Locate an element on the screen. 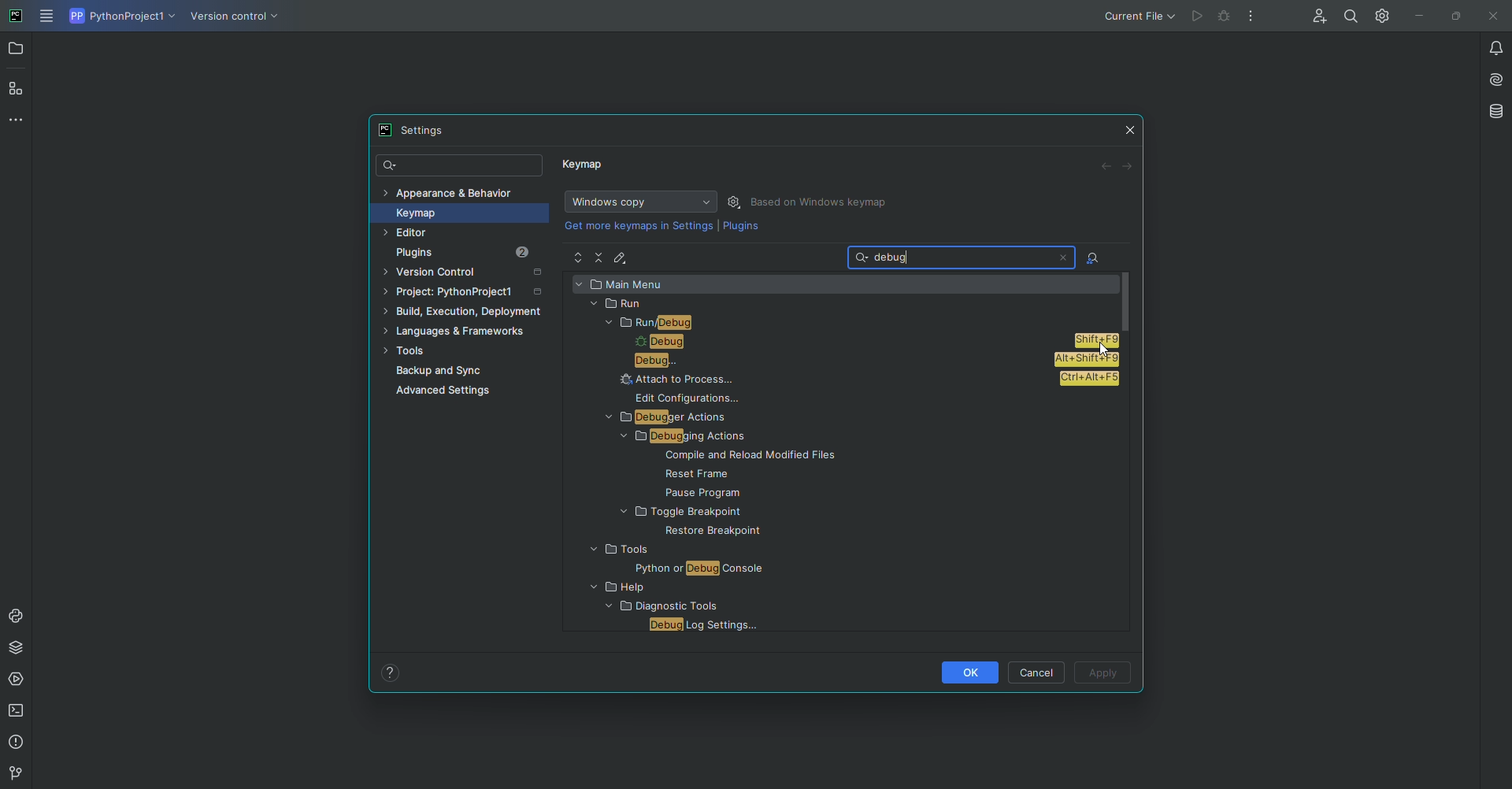 This screenshot has width=1512, height=789. Settings is located at coordinates (1379, 15).